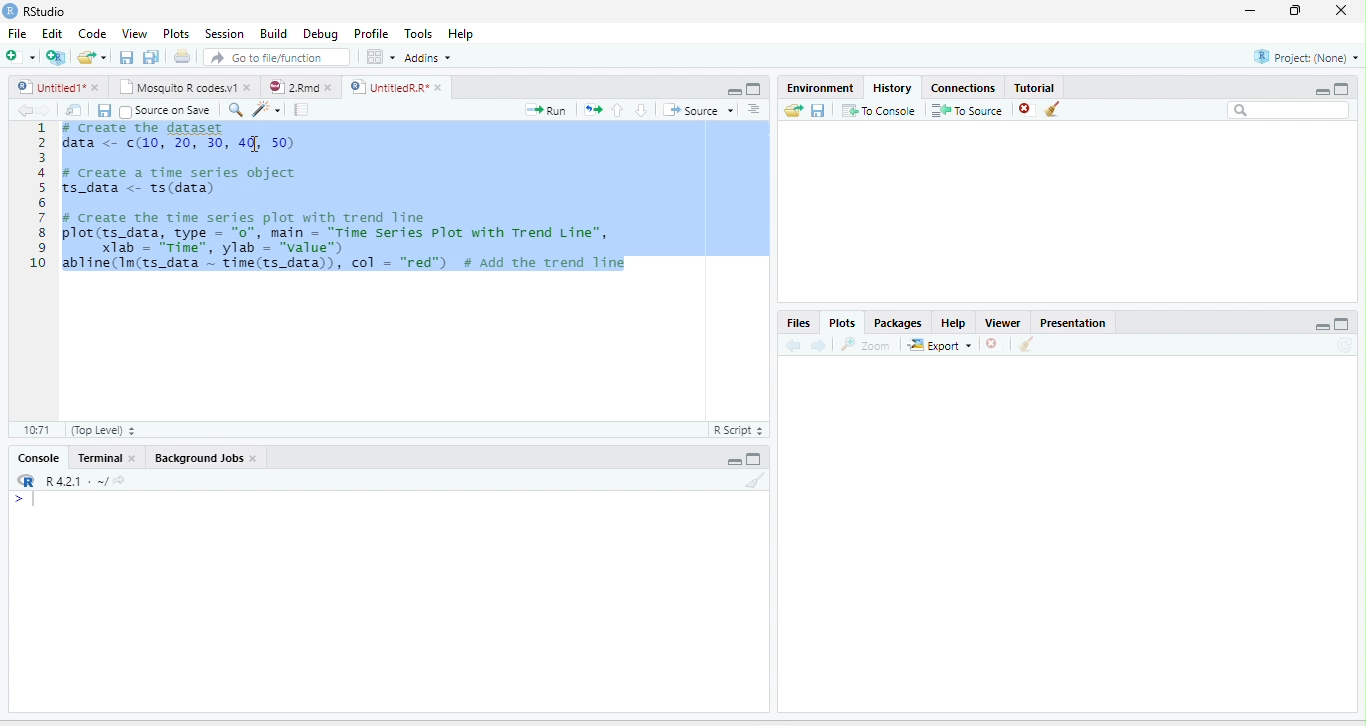  Describe the element at coordinates (104, 111) in the screenshot. I see `Save current document` at that location.